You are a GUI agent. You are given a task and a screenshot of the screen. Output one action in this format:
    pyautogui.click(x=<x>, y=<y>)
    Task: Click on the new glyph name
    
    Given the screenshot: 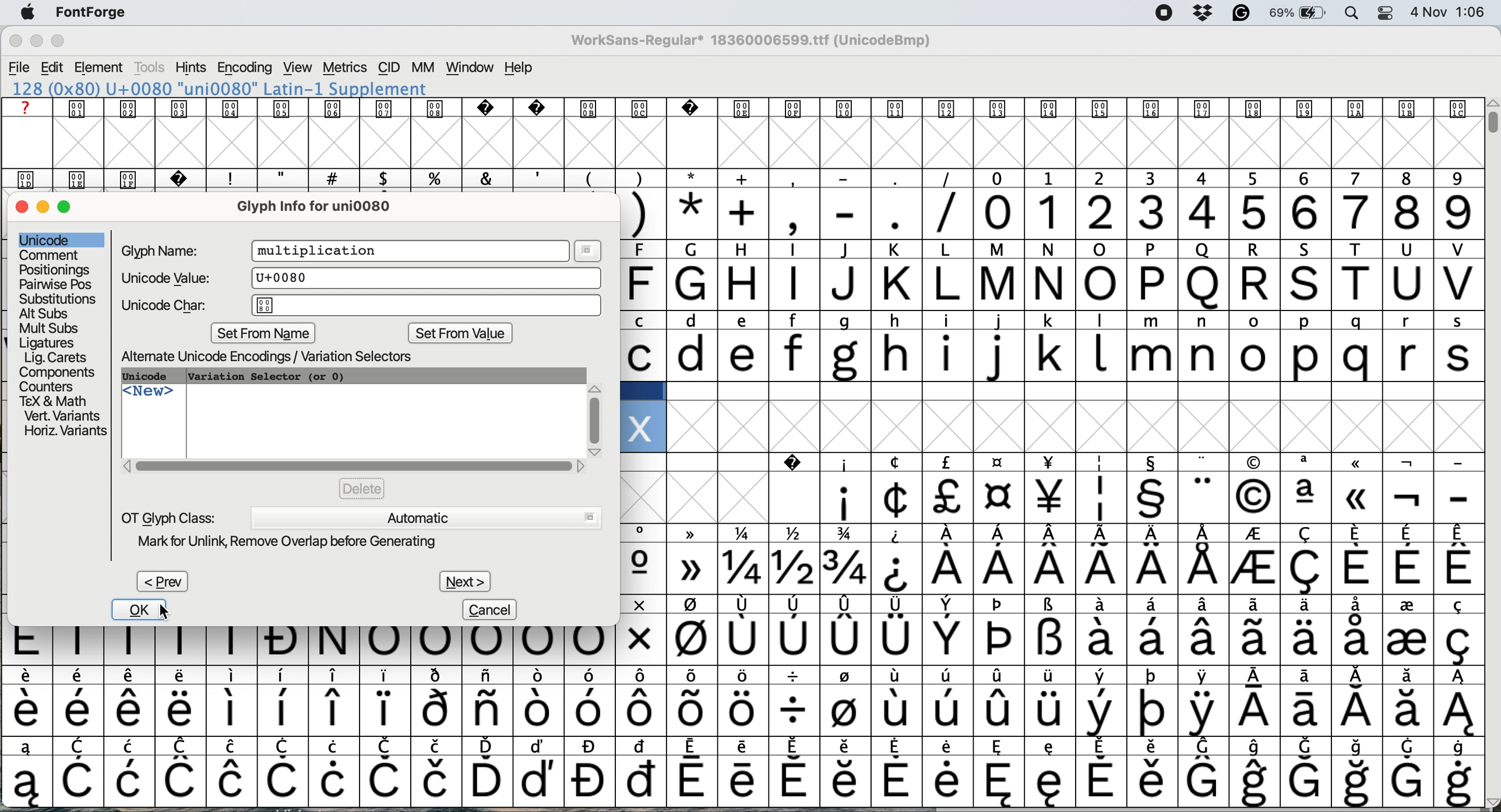 What is the action you would take?
    pyautogui.click(x=322, y=251)
    